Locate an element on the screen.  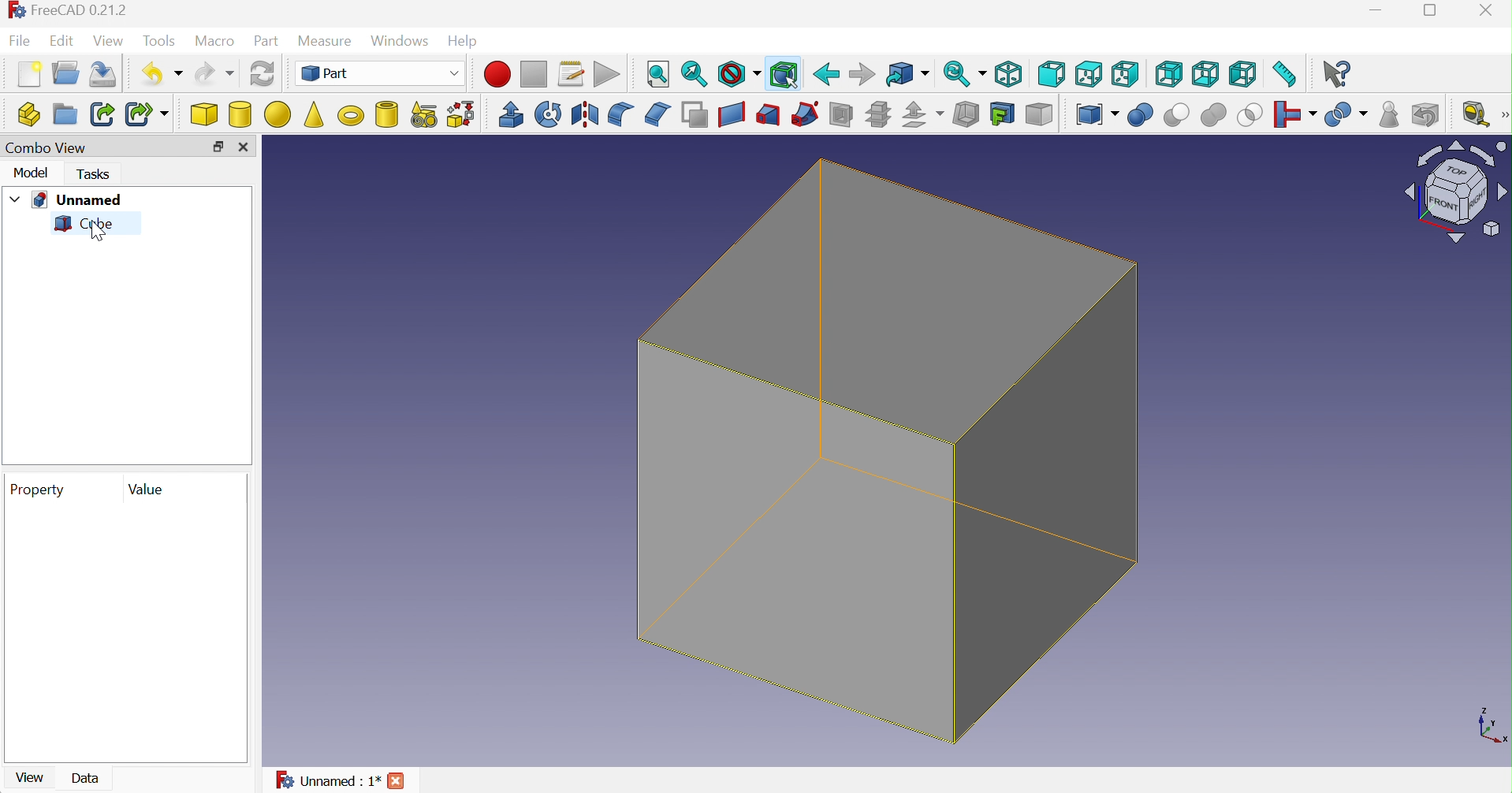
x ,yaxis is located at coordinates (1488, 724).